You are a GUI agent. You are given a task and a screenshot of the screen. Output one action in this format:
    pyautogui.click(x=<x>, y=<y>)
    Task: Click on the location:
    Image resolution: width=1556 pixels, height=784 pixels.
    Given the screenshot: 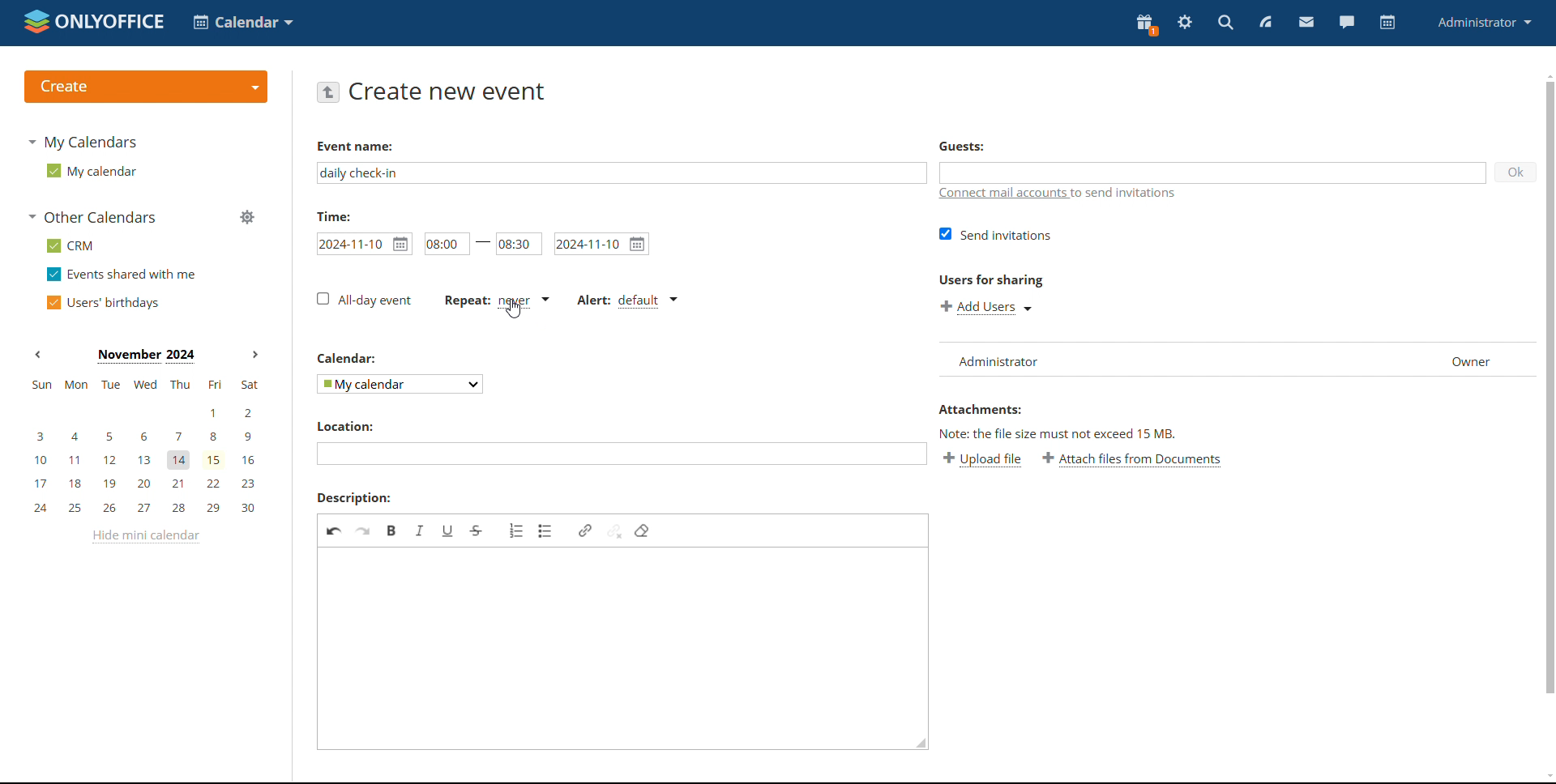 What is the action you would take?
    pyautogui.click(x=363, y=426)
    